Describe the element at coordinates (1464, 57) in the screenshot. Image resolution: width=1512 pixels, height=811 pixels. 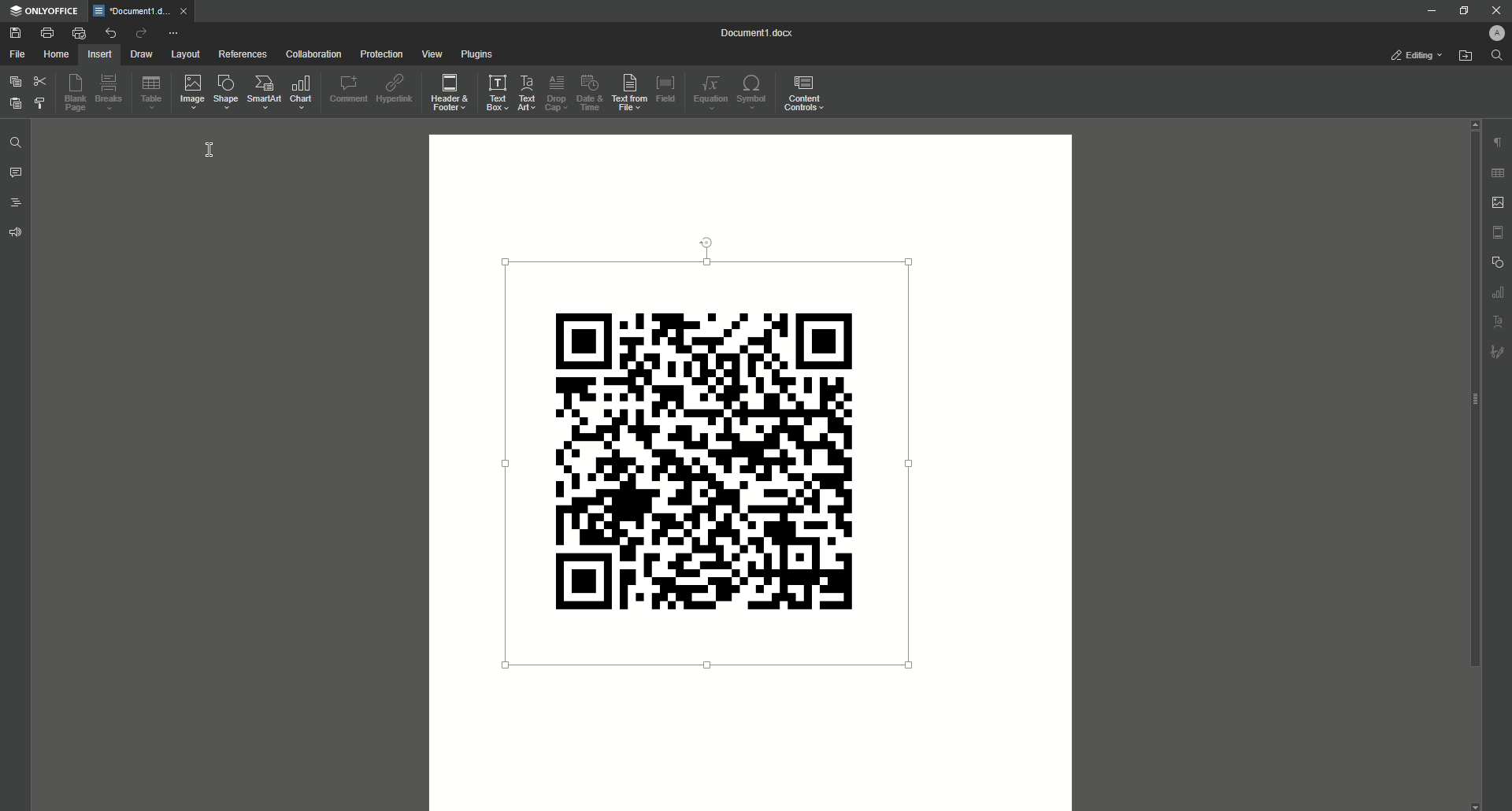
I see `Open From File` at that location.